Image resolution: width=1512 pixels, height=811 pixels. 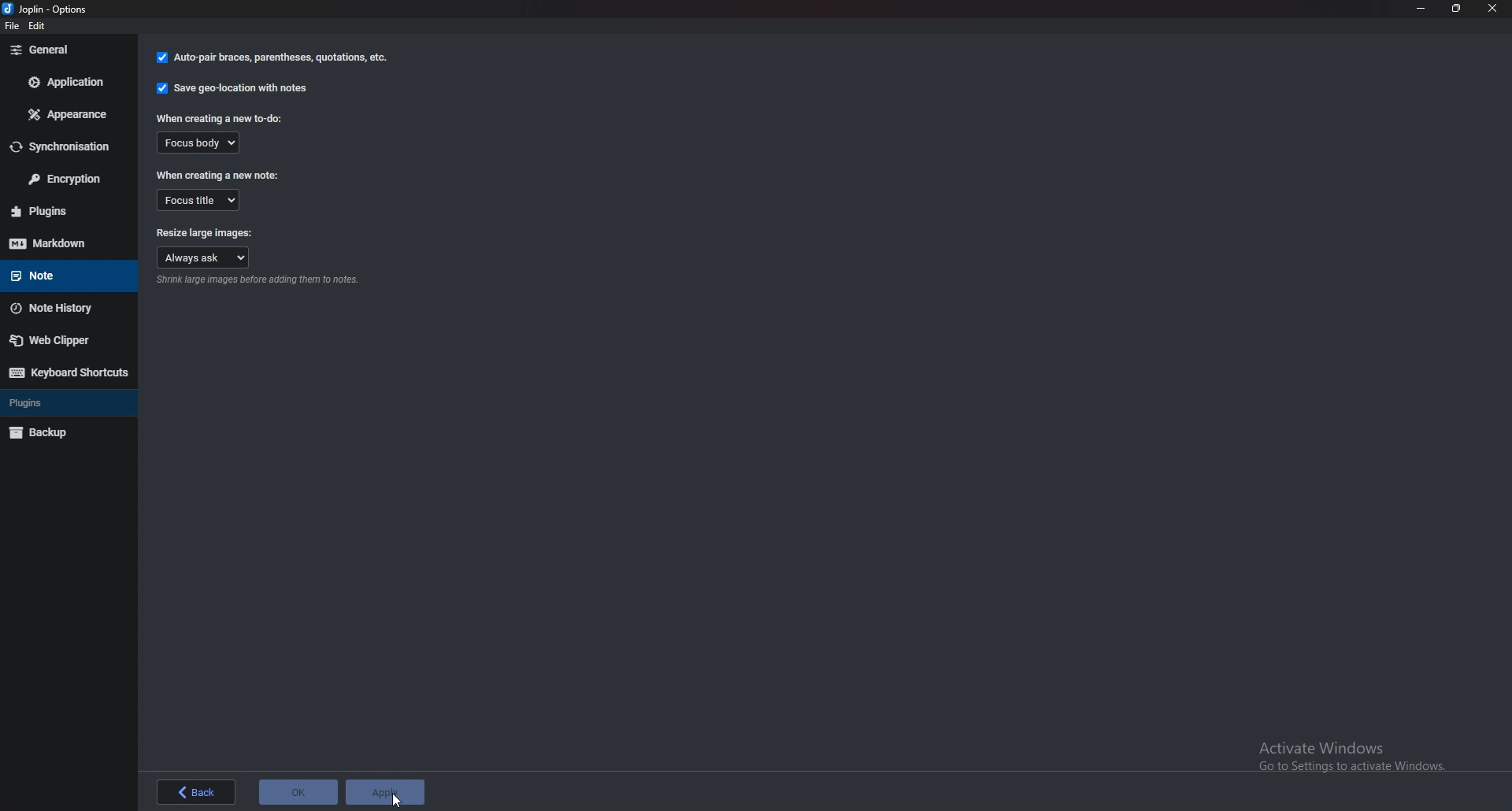 What do you see at coordinates (397, 802) in the screenshot?
I see `cursor` at bounding box center [397, 802].